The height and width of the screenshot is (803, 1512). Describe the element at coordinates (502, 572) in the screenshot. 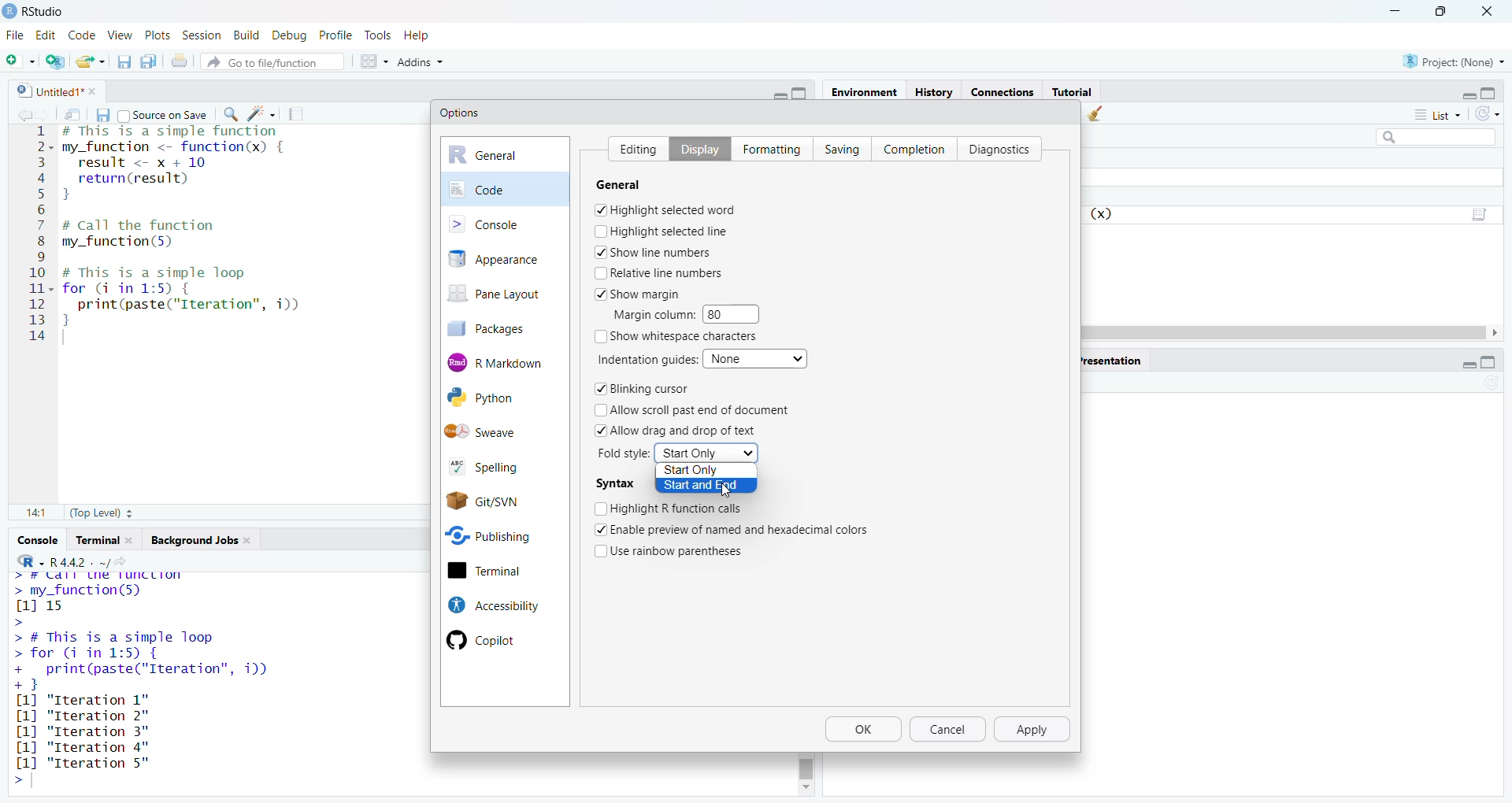

I see `terminal` at that location.